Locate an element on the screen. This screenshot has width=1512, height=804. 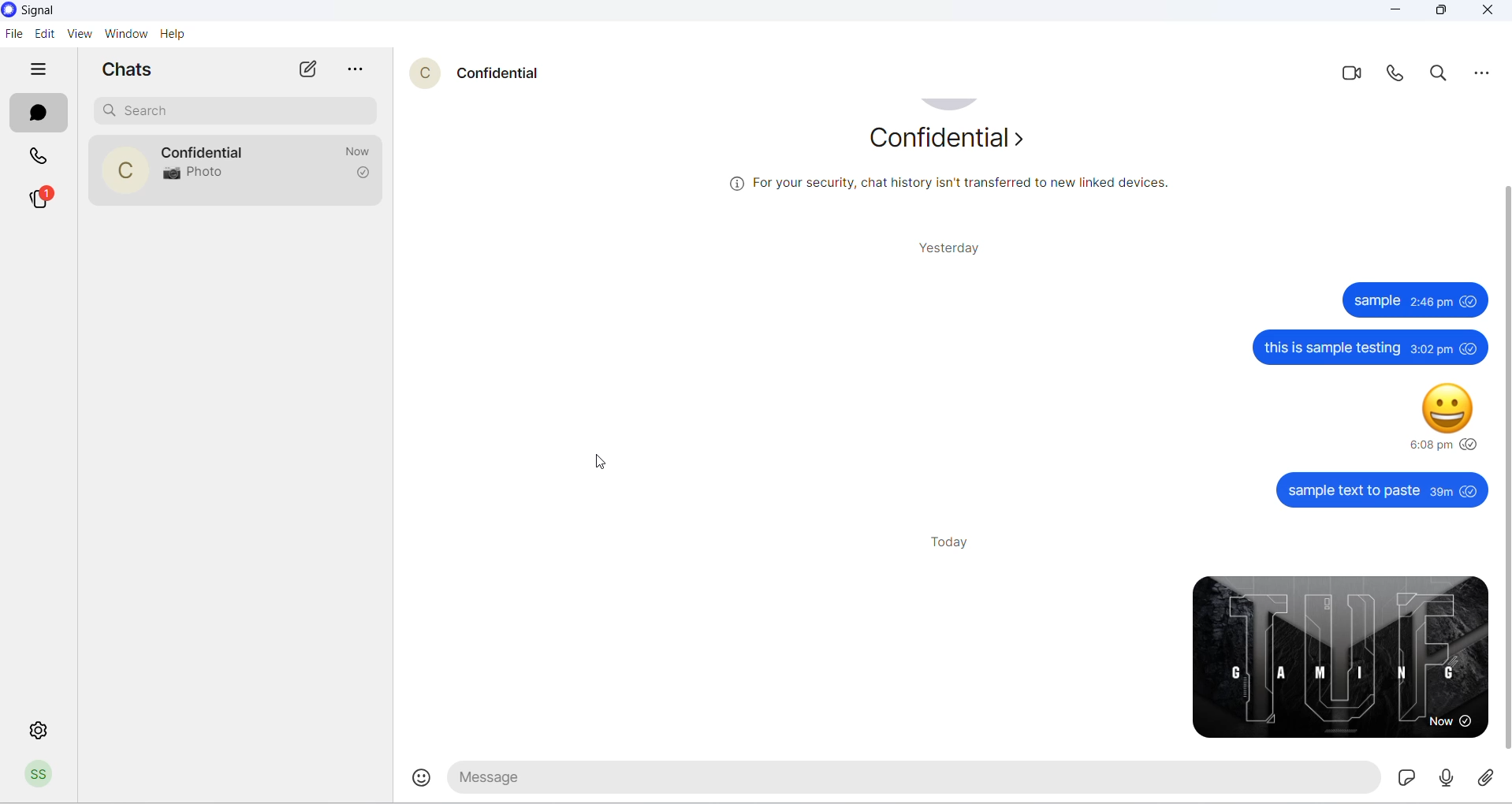
search in chats is located at coordinates (1444, 77).